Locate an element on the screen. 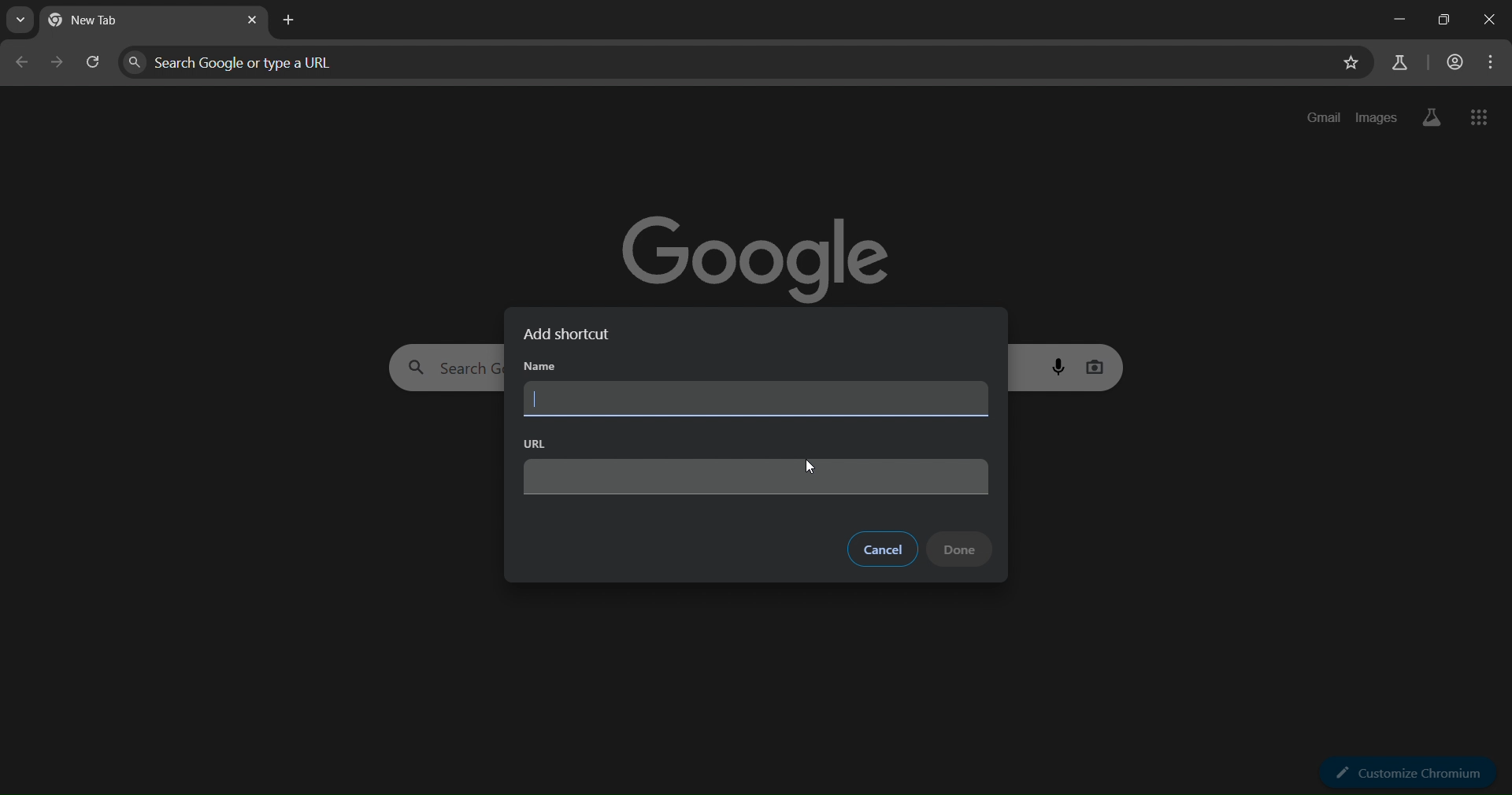 This screenshot has width=1512, height=795. reload page is located at coordinates (94, 66).